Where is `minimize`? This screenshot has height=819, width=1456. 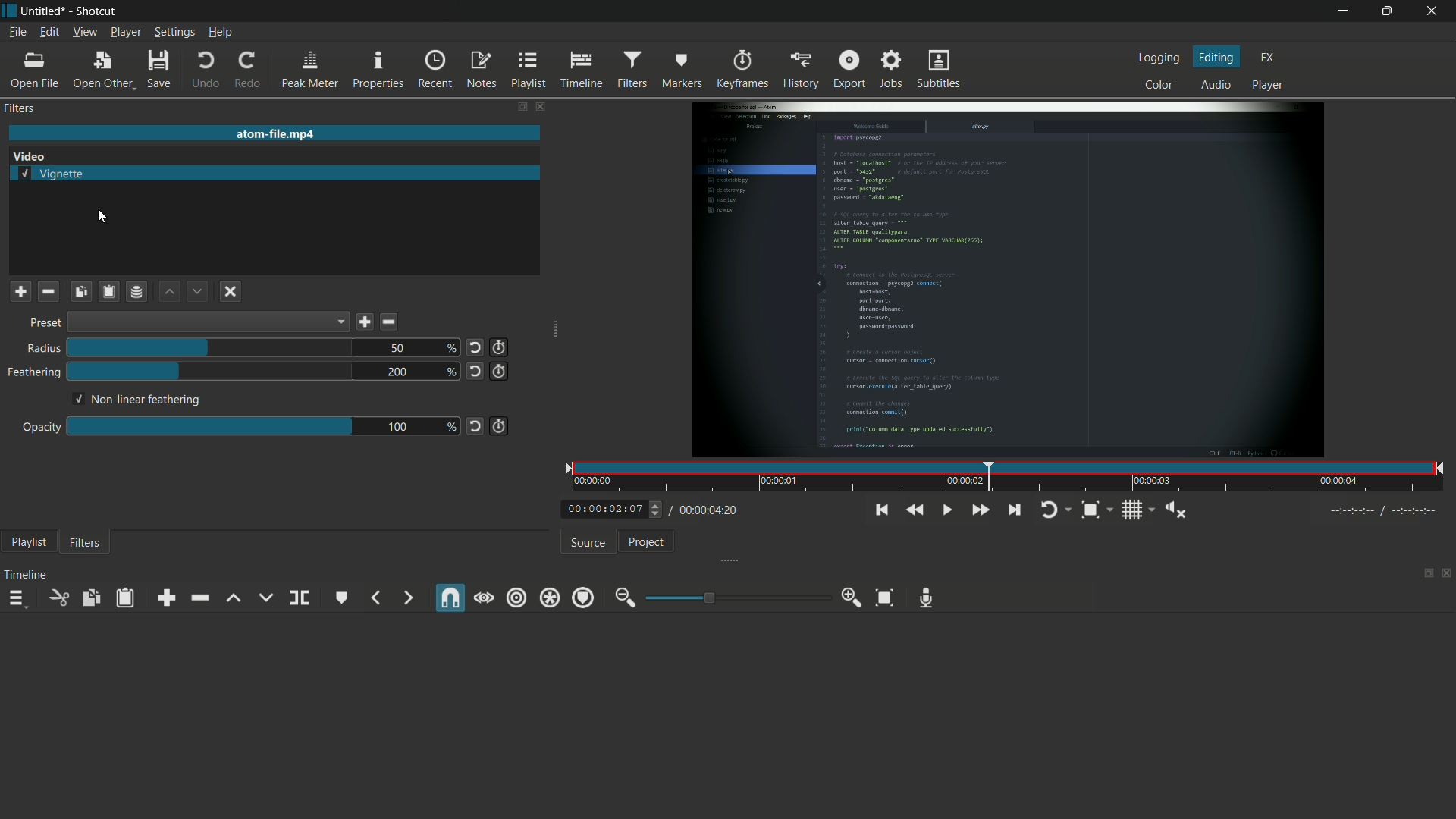
minimize is located at coordinates (1343, 11).